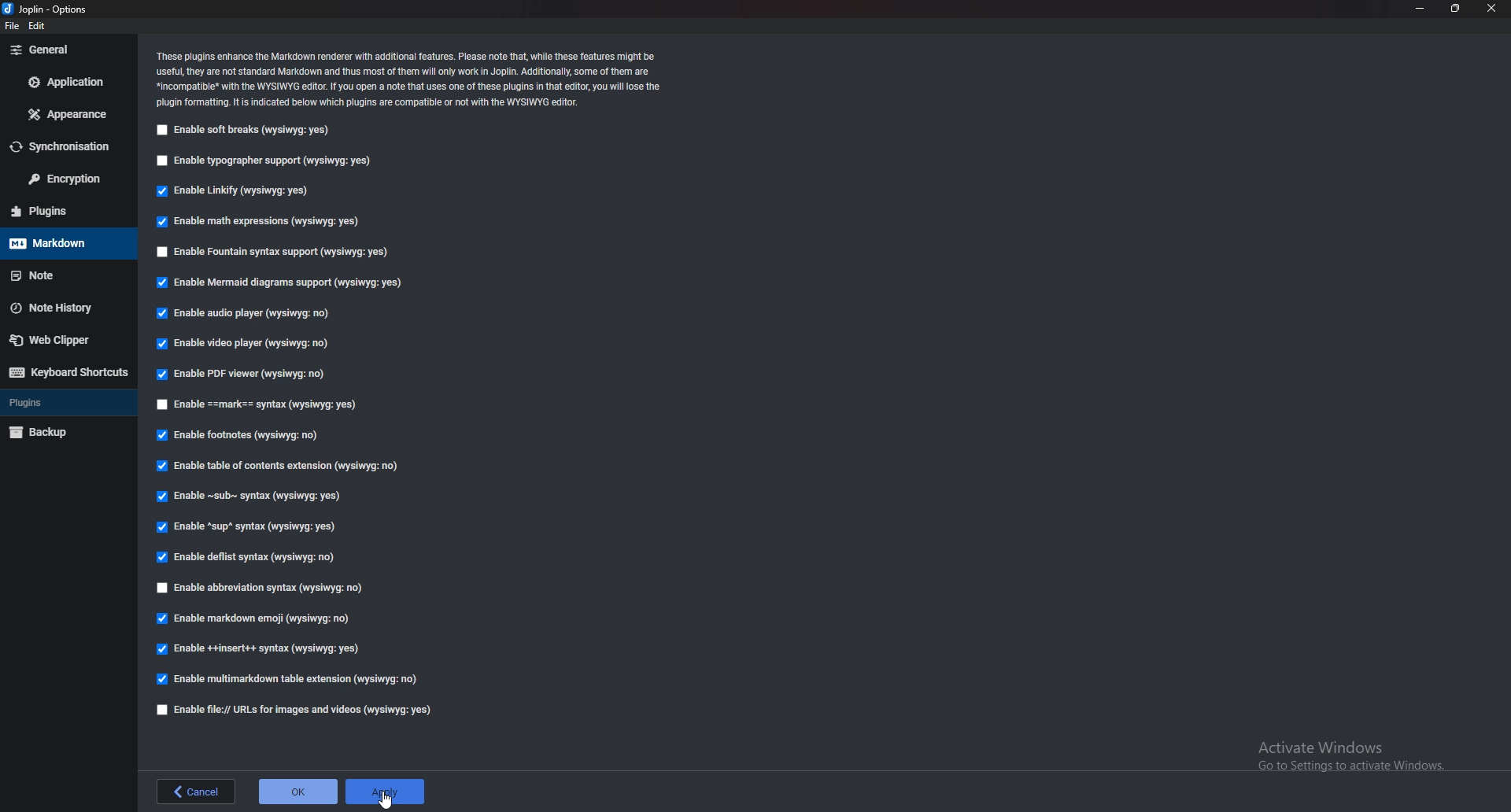 The image size is (1511, 812). Describe the element at coordinates (59, 275) in the screenshot. I see `note` at that location.